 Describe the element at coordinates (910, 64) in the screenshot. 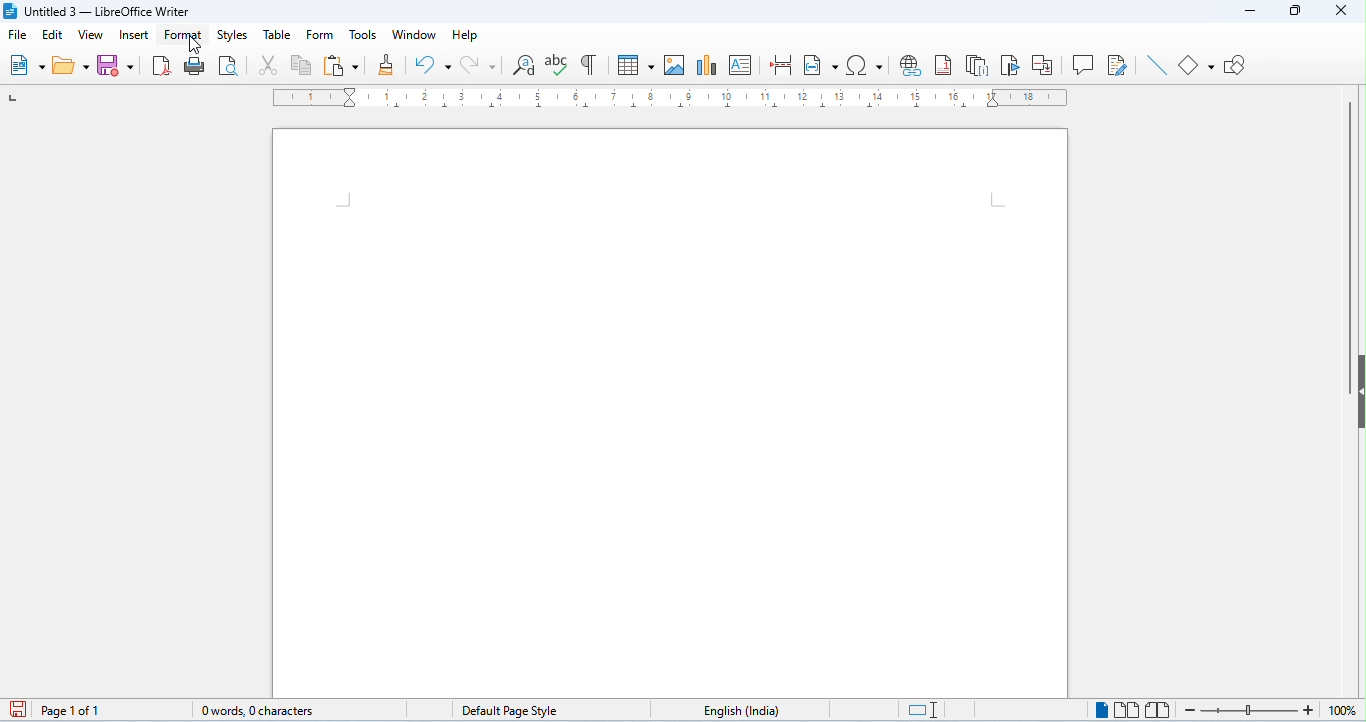

I see `insert hyperlink` at that location.